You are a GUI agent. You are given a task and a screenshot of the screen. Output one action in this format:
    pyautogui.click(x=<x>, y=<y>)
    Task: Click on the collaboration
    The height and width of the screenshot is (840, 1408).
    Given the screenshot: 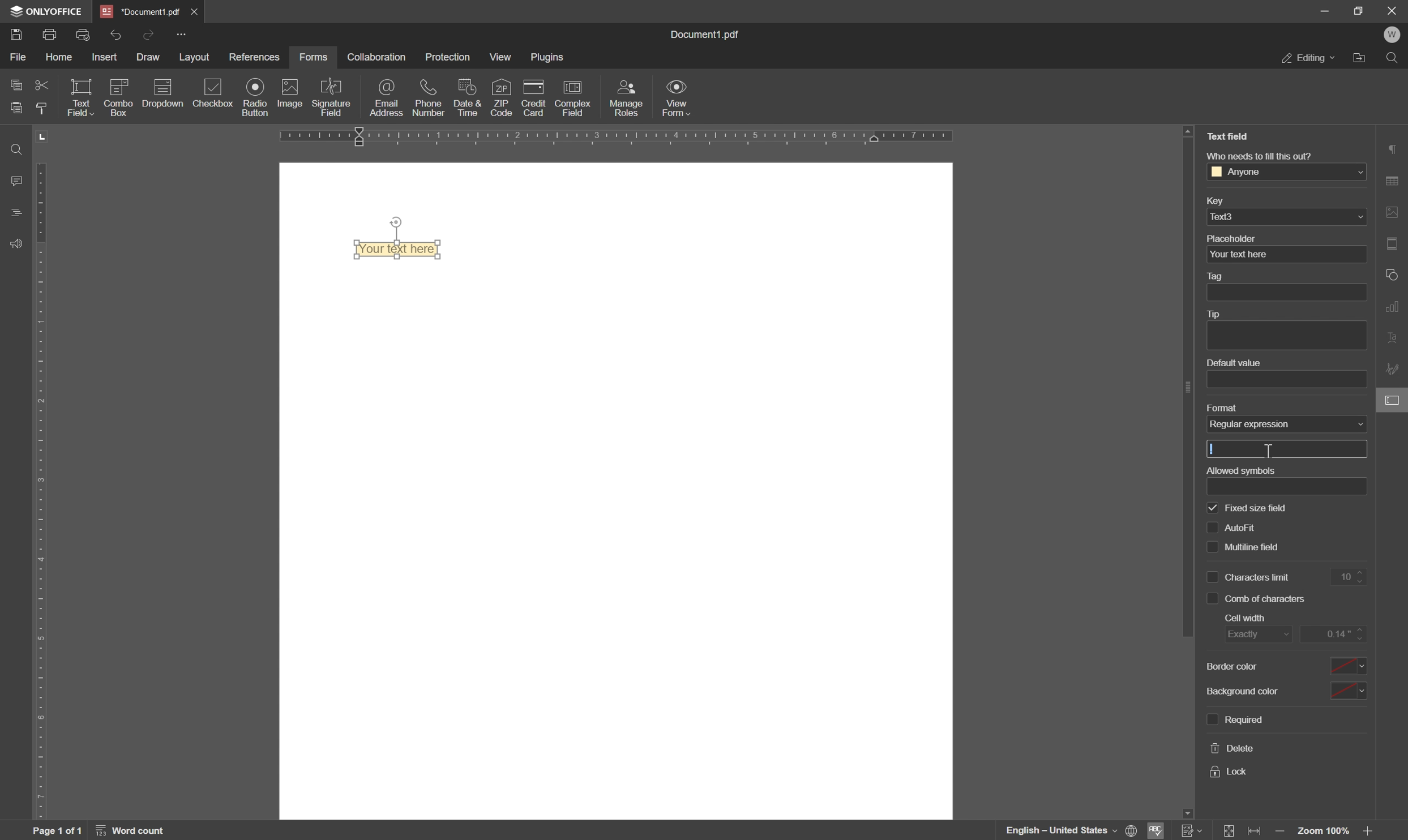 What is the action you would take?
    pyautogui.click(x=375, y=57)
    